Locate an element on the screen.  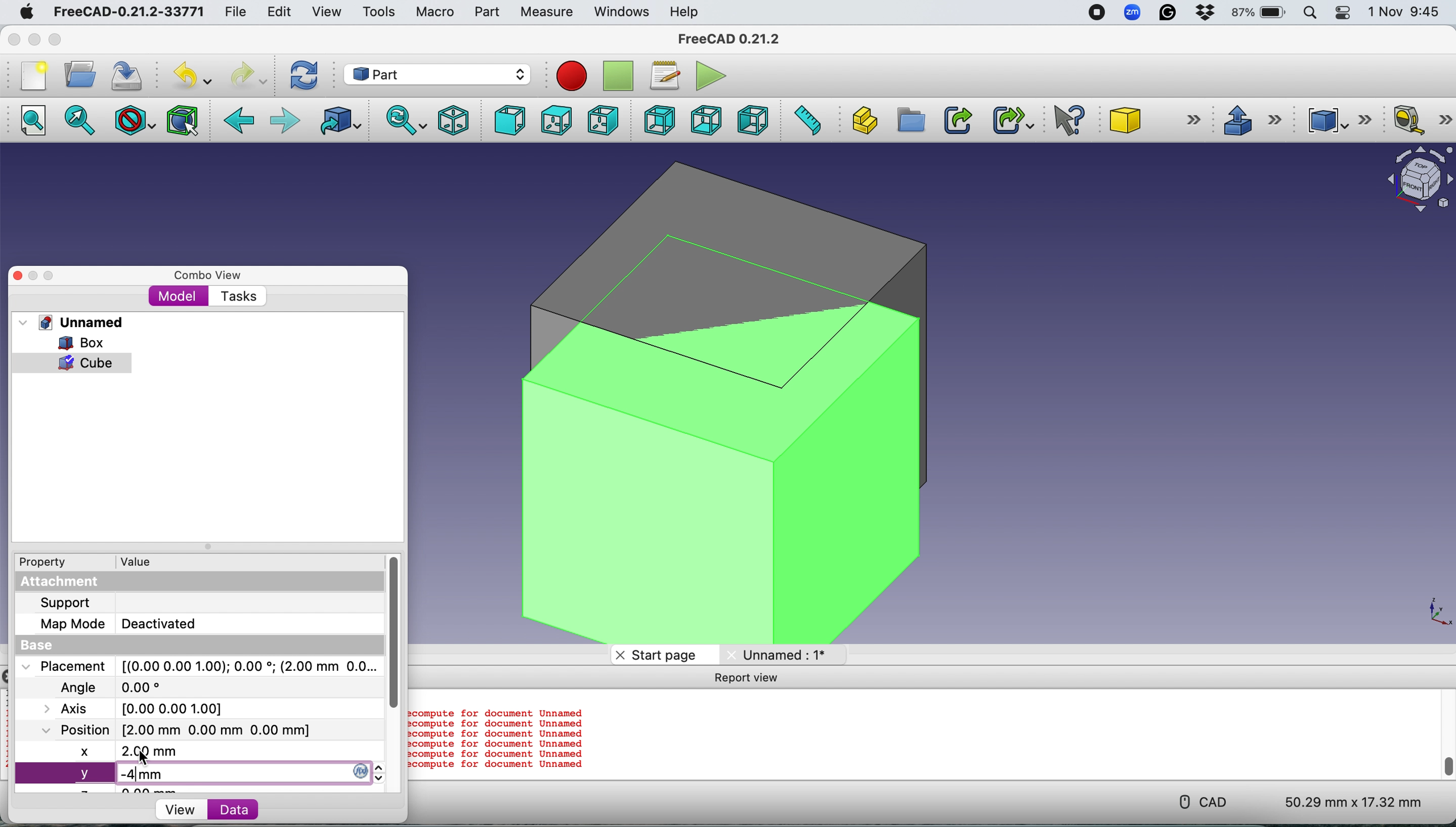
Dropbox is located at coordinates (1206, 14).